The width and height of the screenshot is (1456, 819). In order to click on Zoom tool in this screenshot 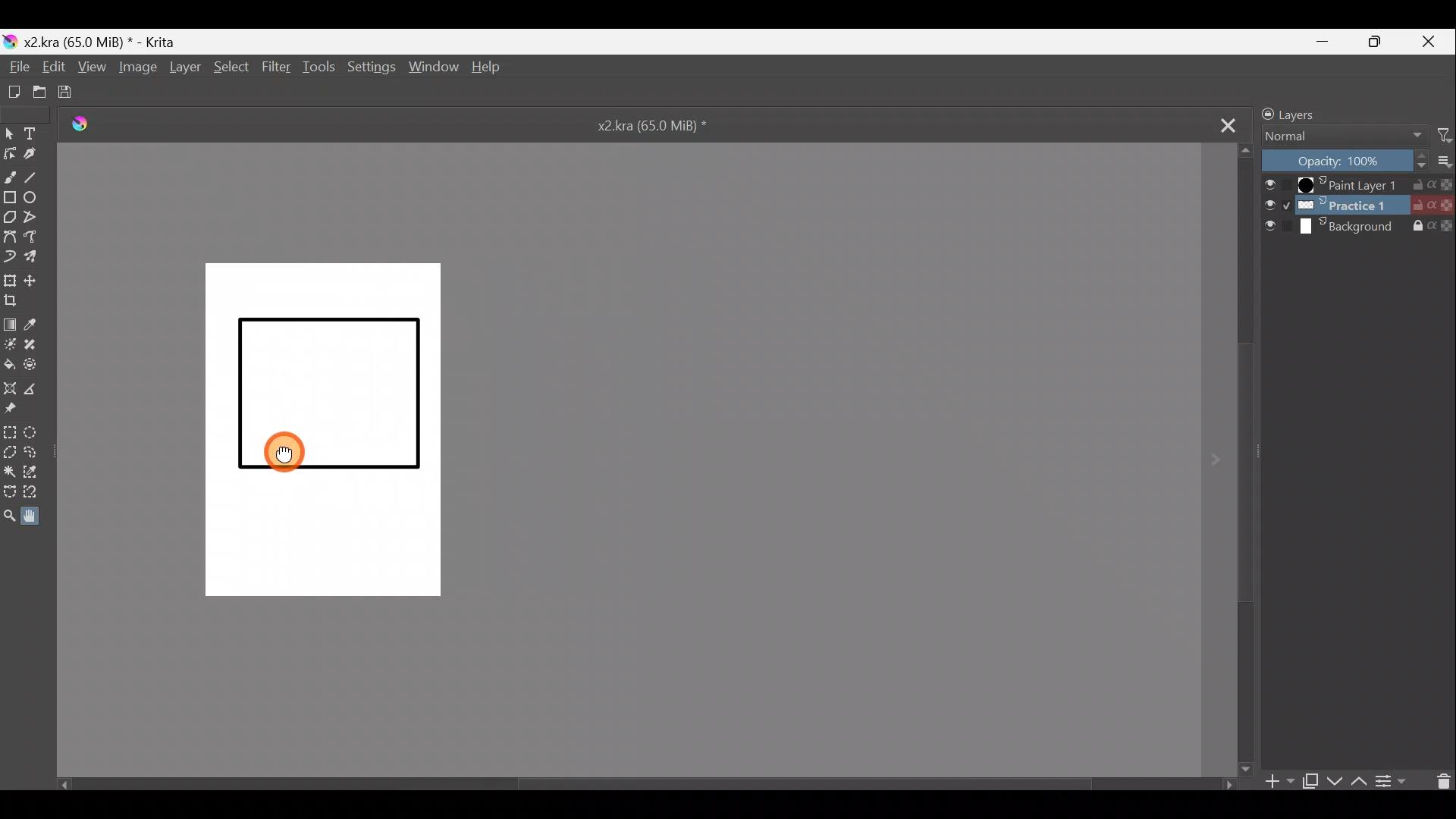, I will do `click(11, 516)`.